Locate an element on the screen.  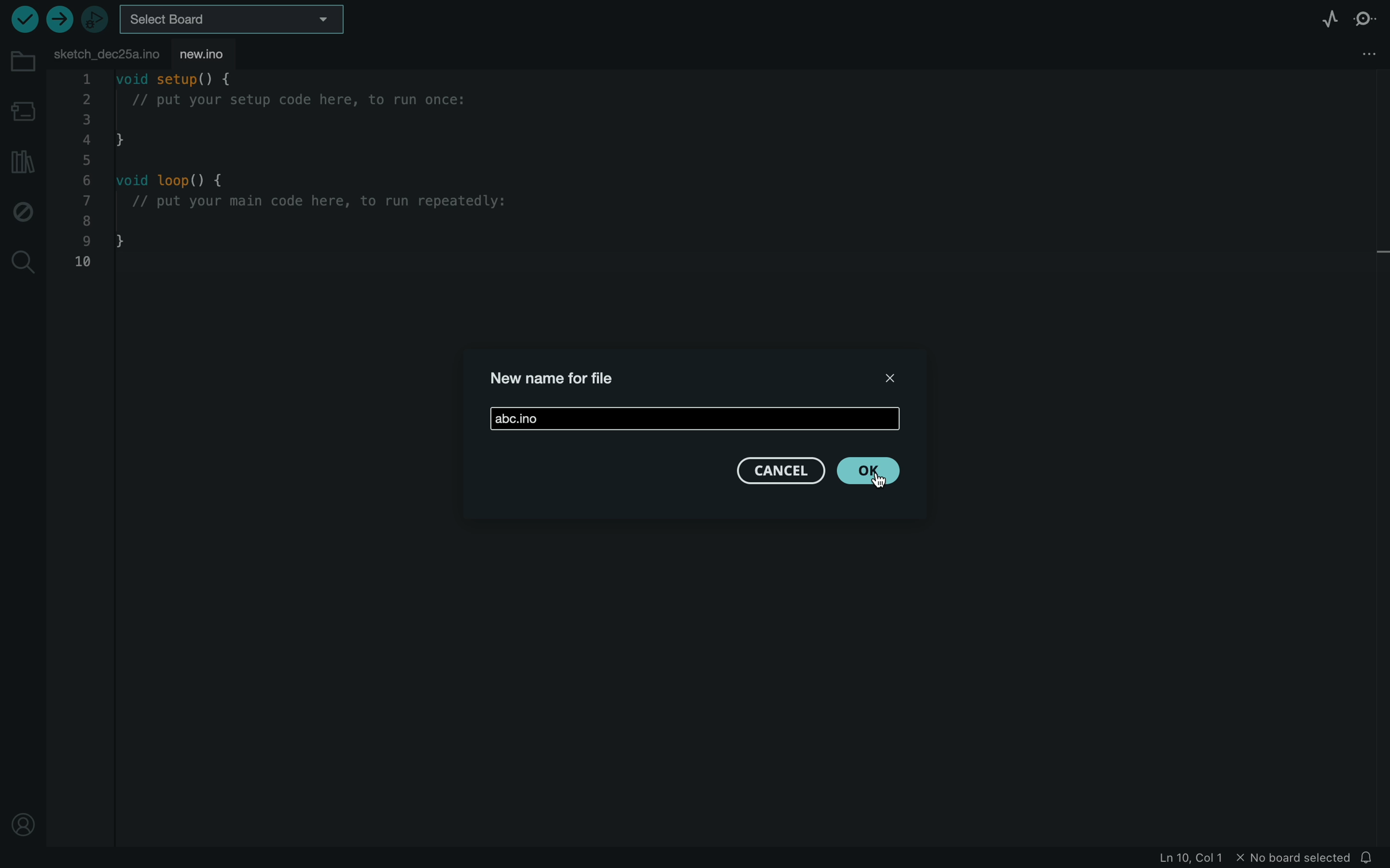
upload is located at coordinates (59, 19).